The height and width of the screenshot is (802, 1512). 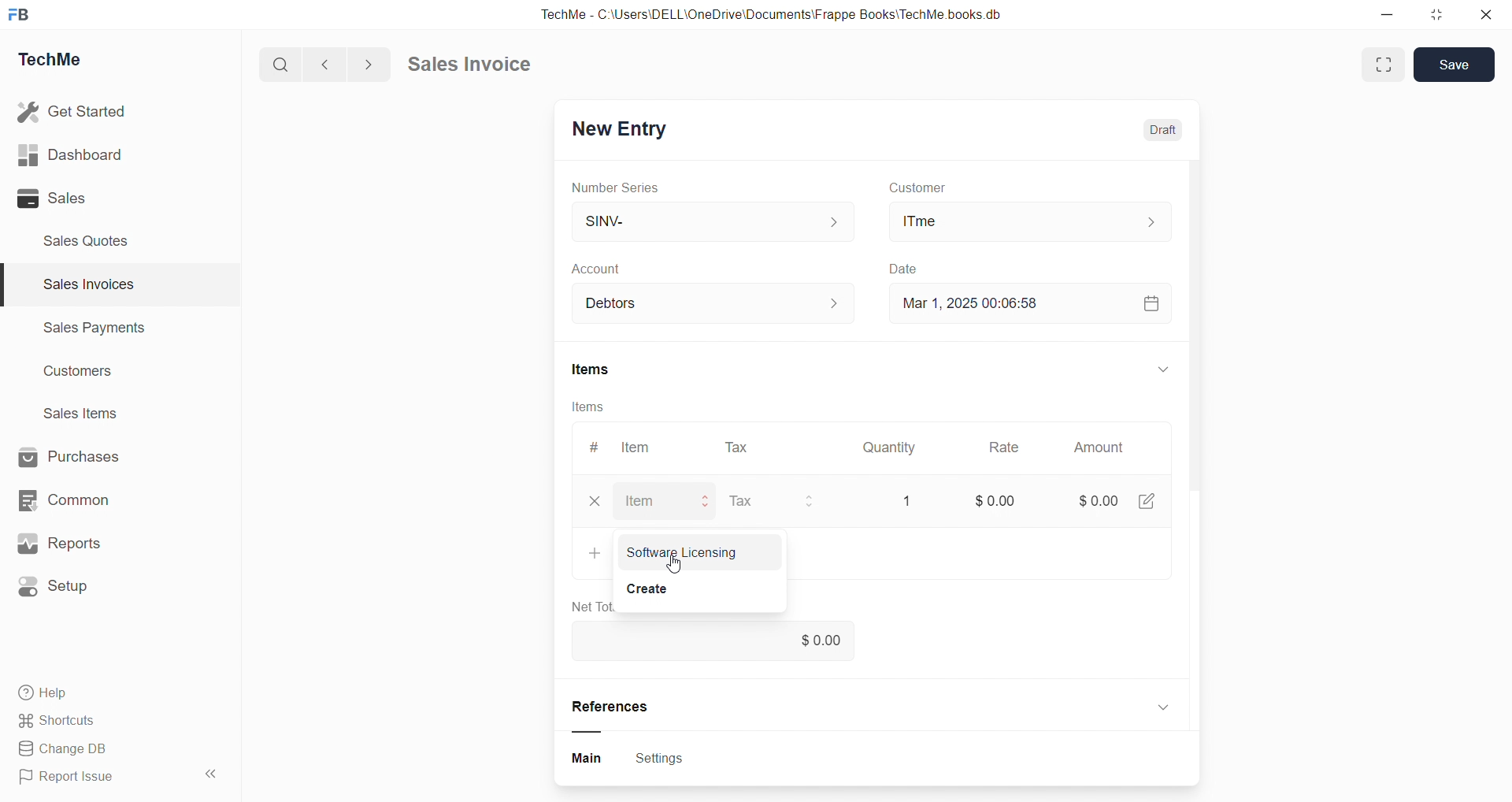 I want to click on Close, so click(x=1490, y=18).